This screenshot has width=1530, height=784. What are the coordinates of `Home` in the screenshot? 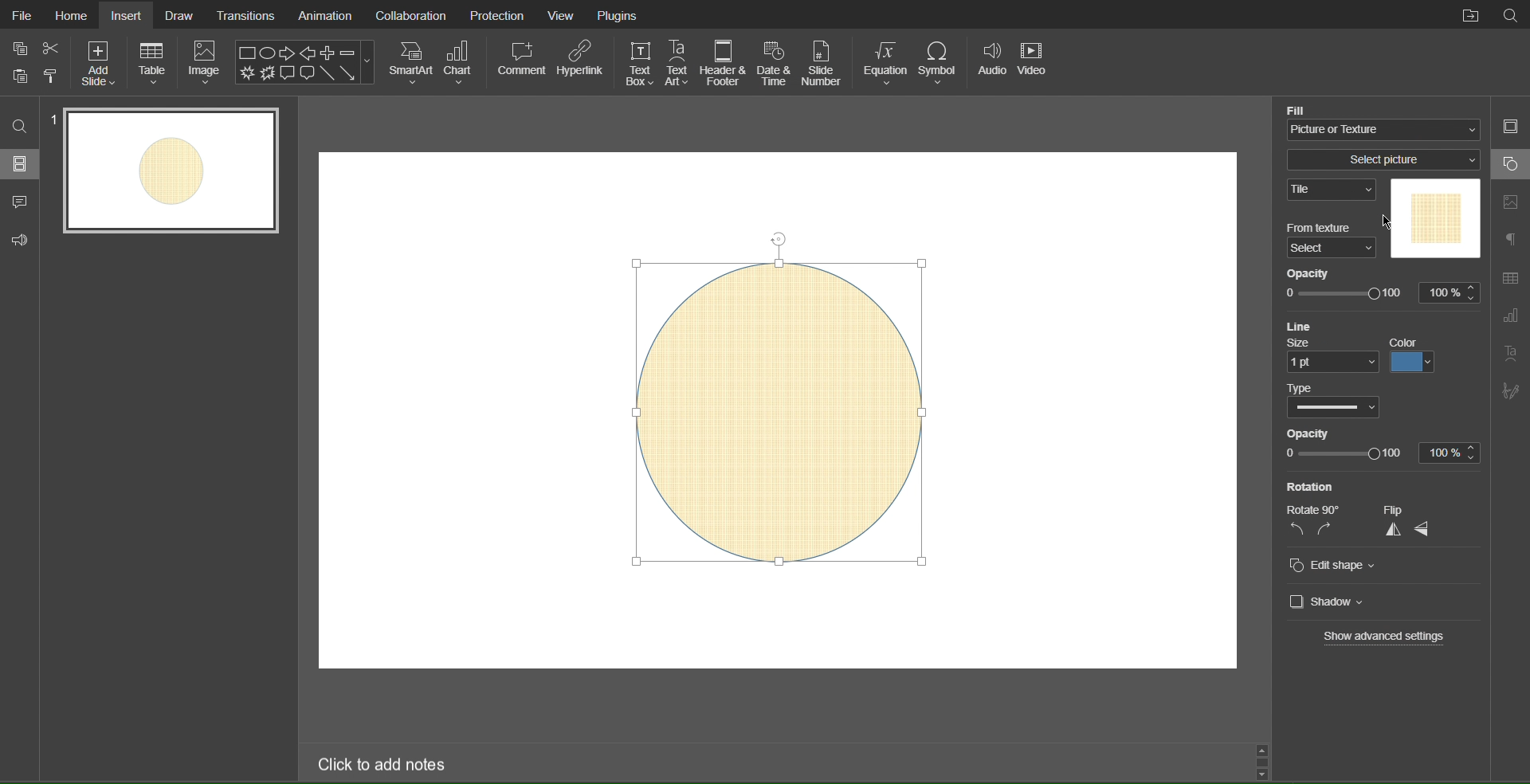 It's located at (70, 14).